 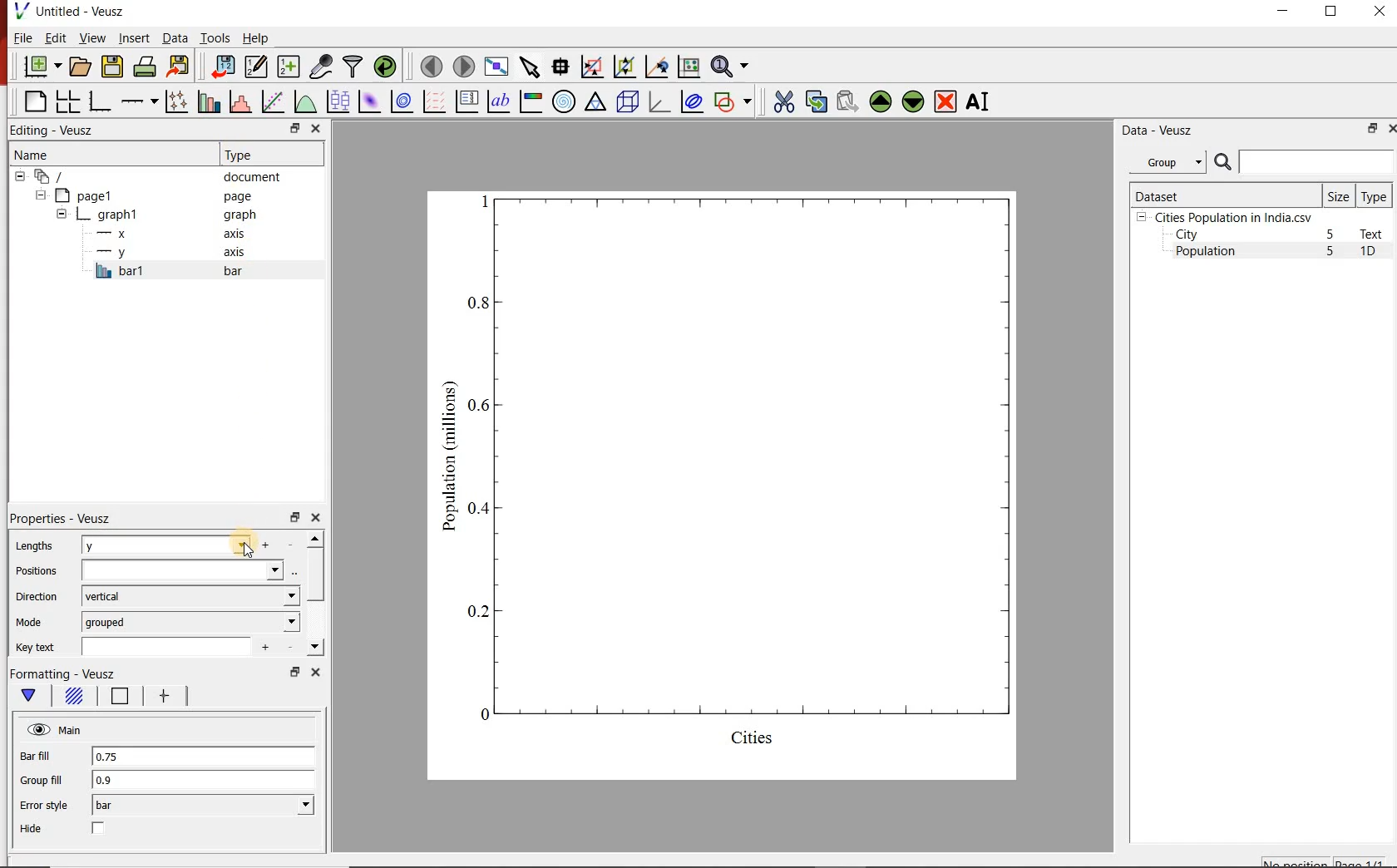 What do you see at coordinates (139, 99) in the screenshot?
I see `Add an axis to the plot` at bounding box center [139, 99].